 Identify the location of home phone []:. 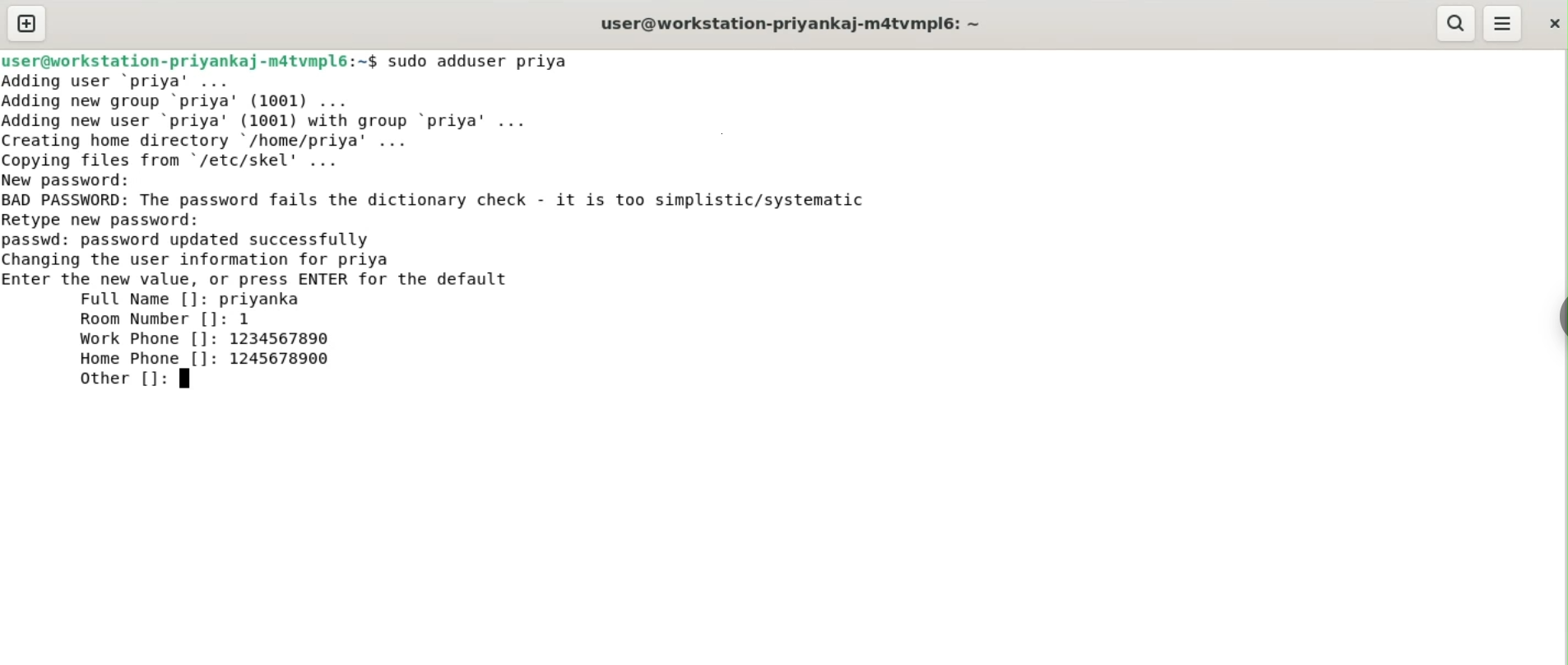
(147, 359).